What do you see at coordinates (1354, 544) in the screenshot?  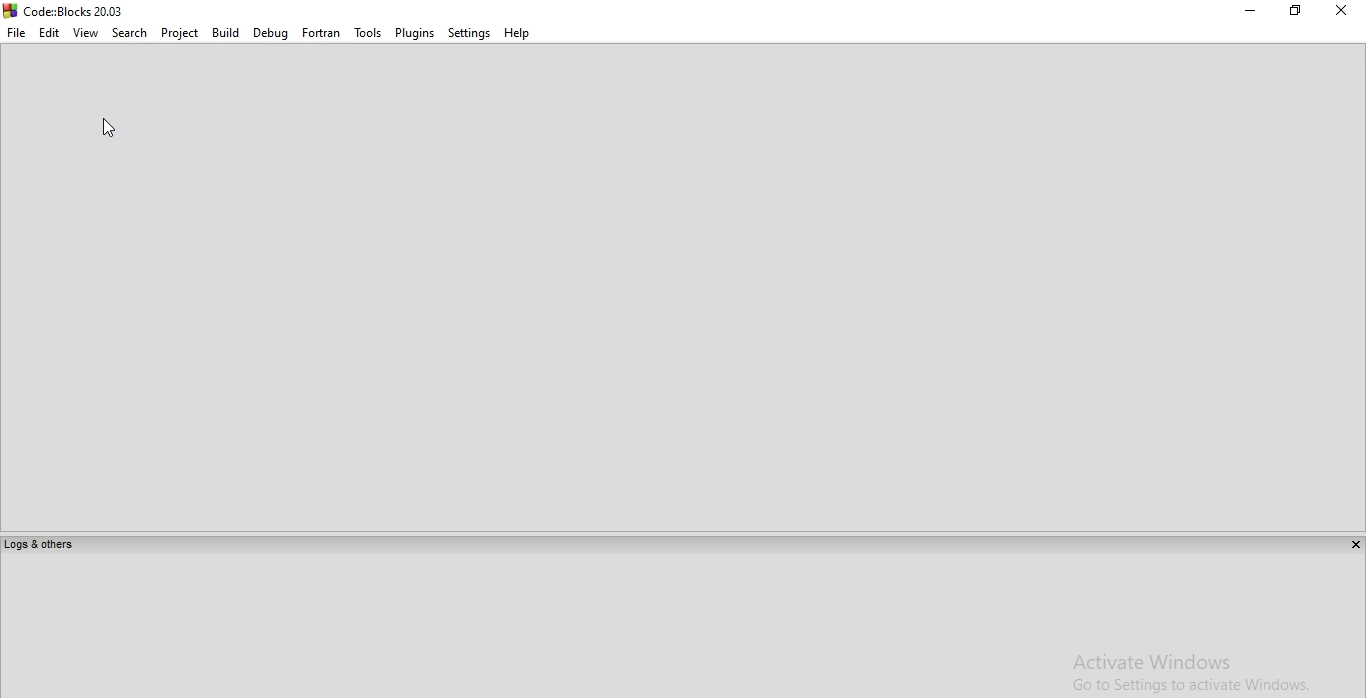 I see `Close` at bounding box center [1354, 544].